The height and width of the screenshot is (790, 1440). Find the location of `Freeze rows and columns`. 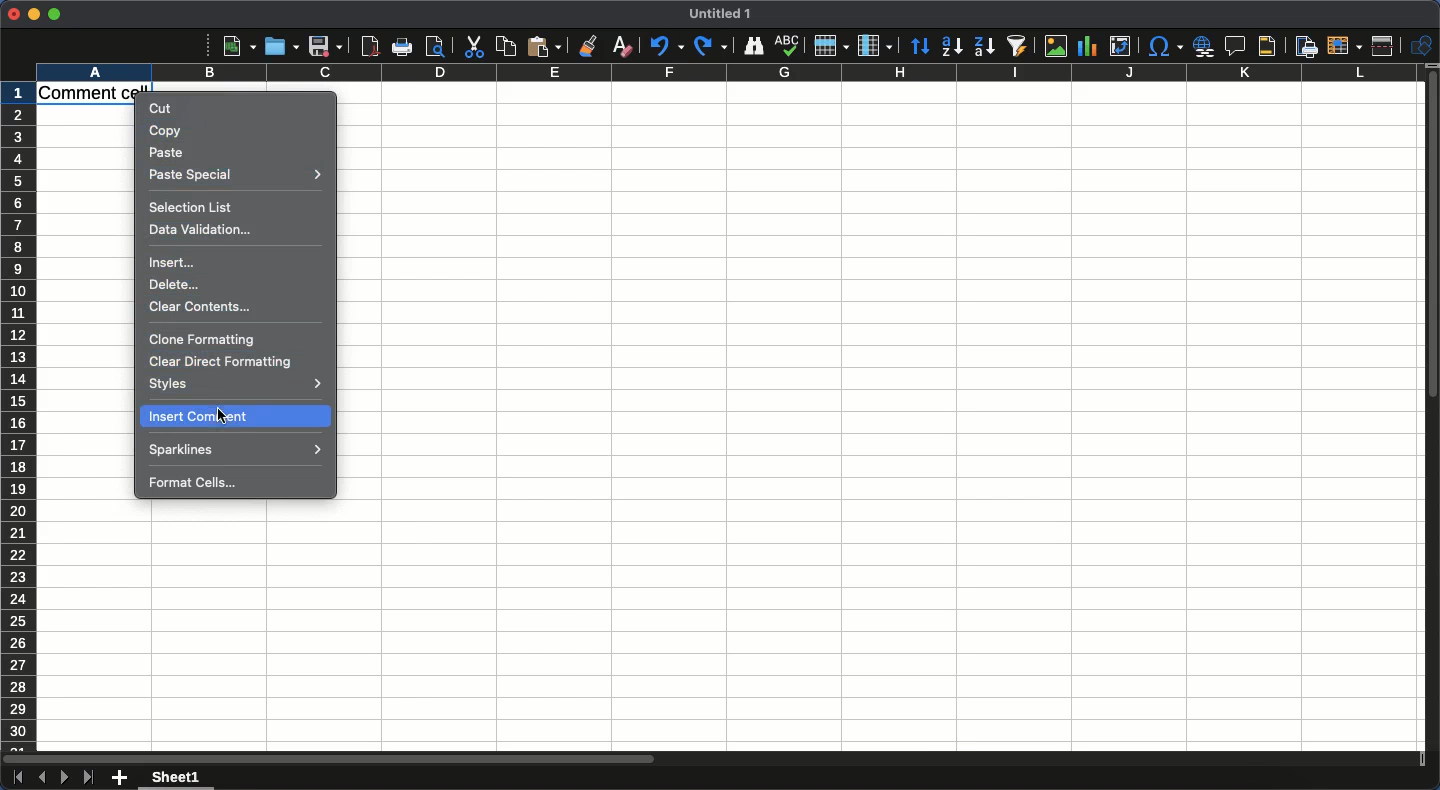

Freeze rows and columns is located at coordinates (1344, 45).